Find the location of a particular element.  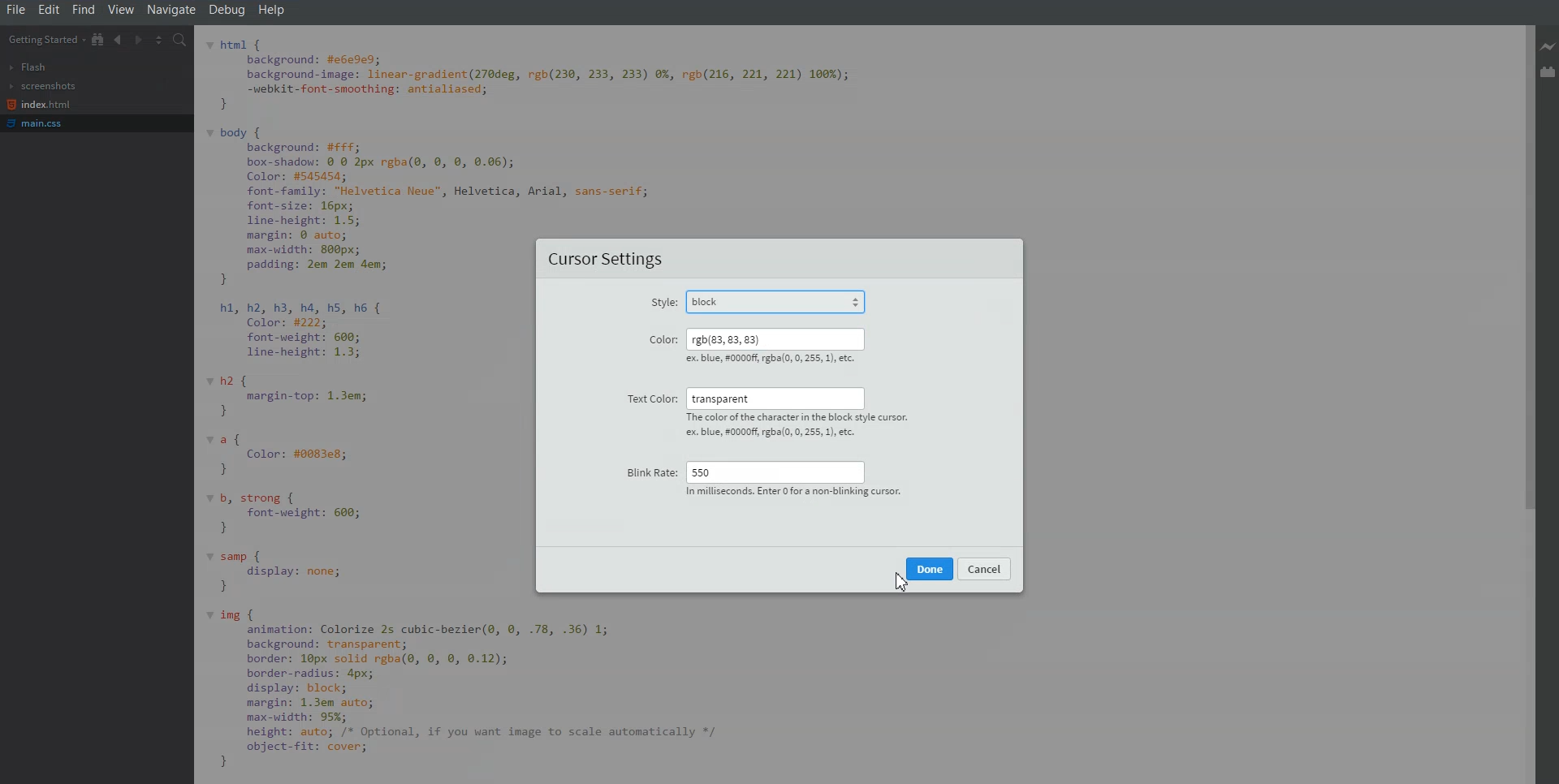

ex. blue, #0000ff, rgba(0,0,255,1), etx. is located at coordinates (771, 361).